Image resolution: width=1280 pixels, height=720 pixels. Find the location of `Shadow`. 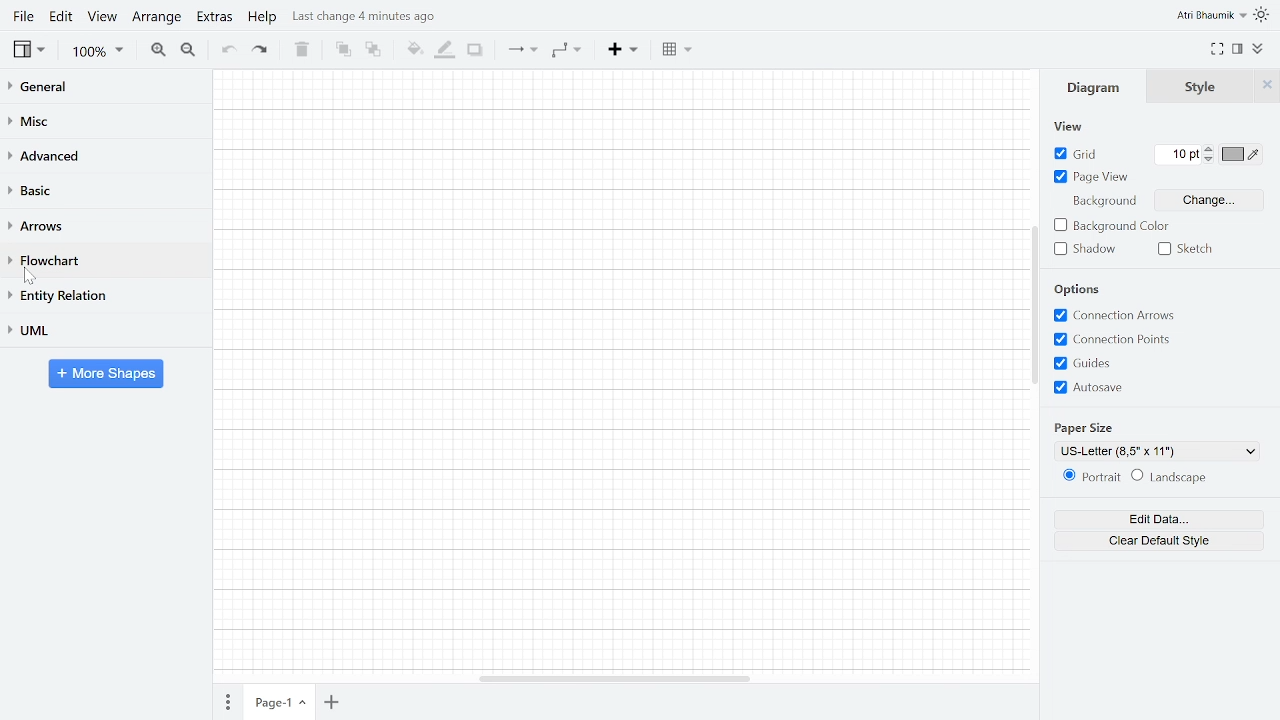

Shadow is located at coordinates (476, 51).